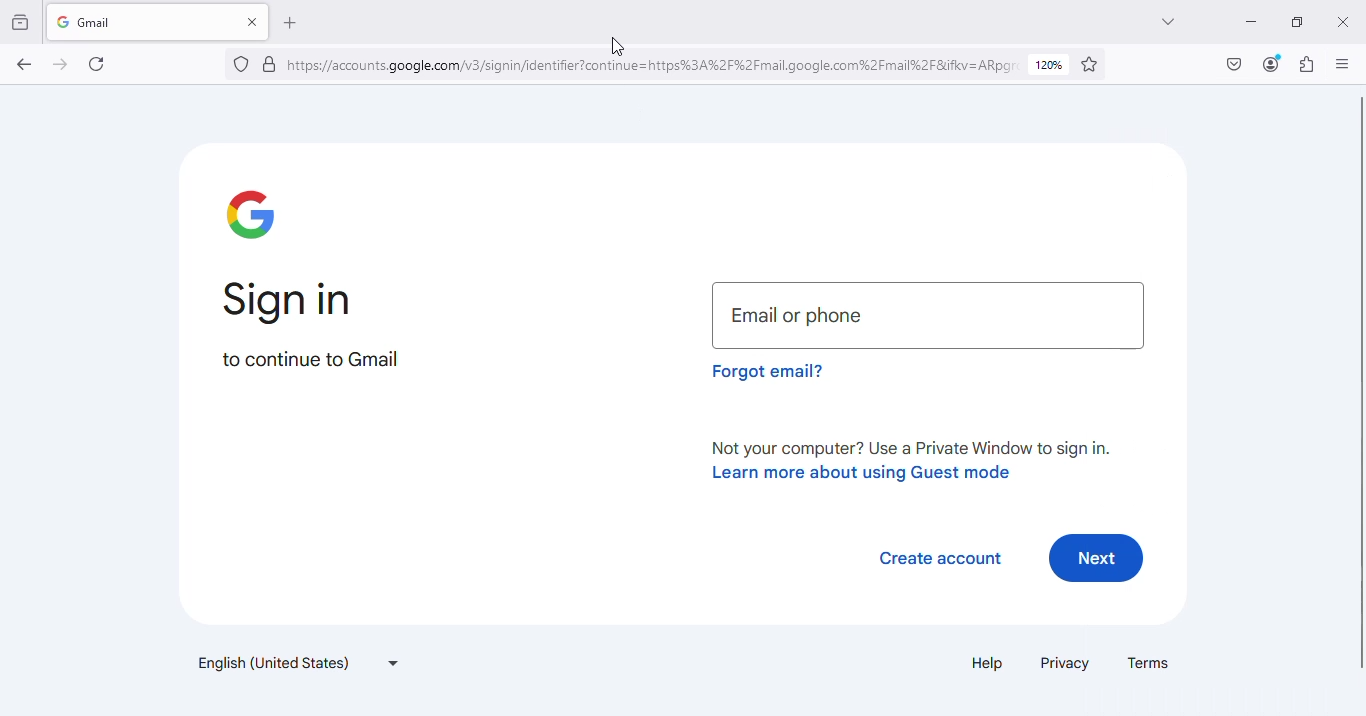 Image resolution: width=1366 pixels, height=716 pixels. I want to click on terms, so click(1147, 663).